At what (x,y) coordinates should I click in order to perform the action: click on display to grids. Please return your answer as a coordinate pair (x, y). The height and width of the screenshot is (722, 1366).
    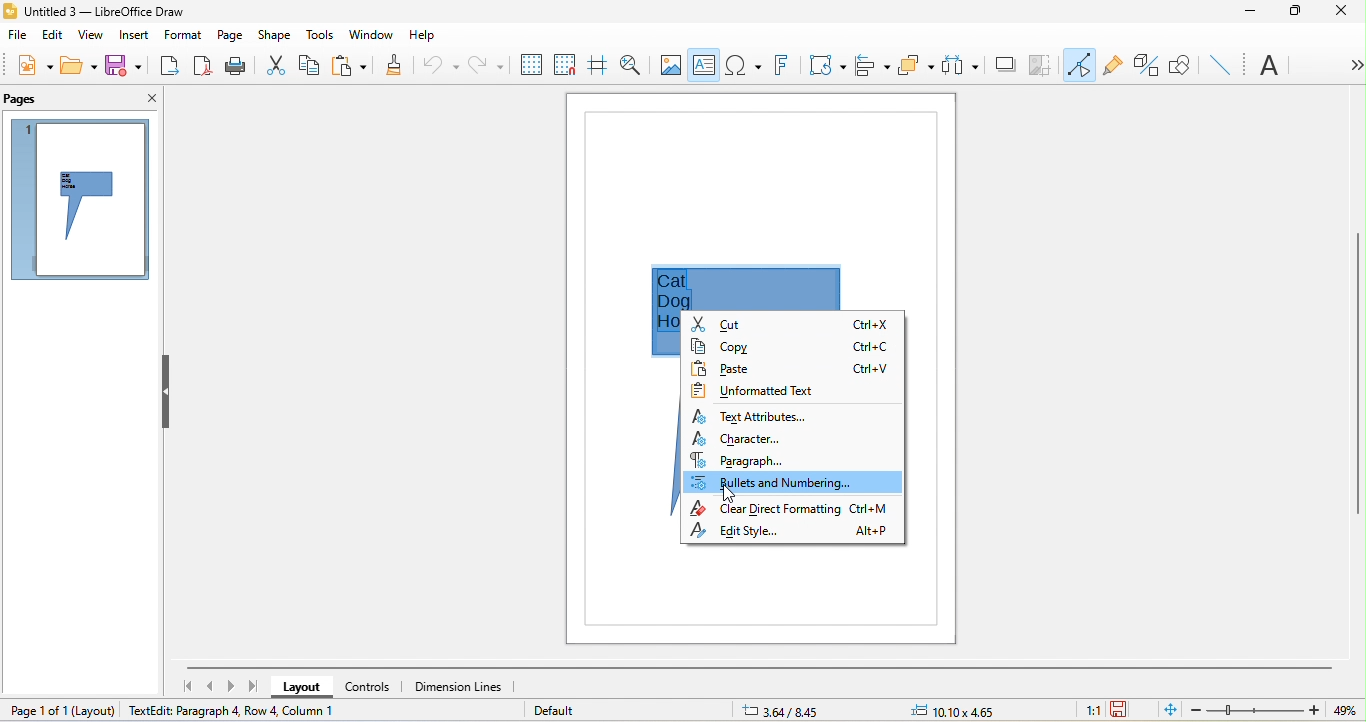
    Looking at the image, I should click on (527, 64).